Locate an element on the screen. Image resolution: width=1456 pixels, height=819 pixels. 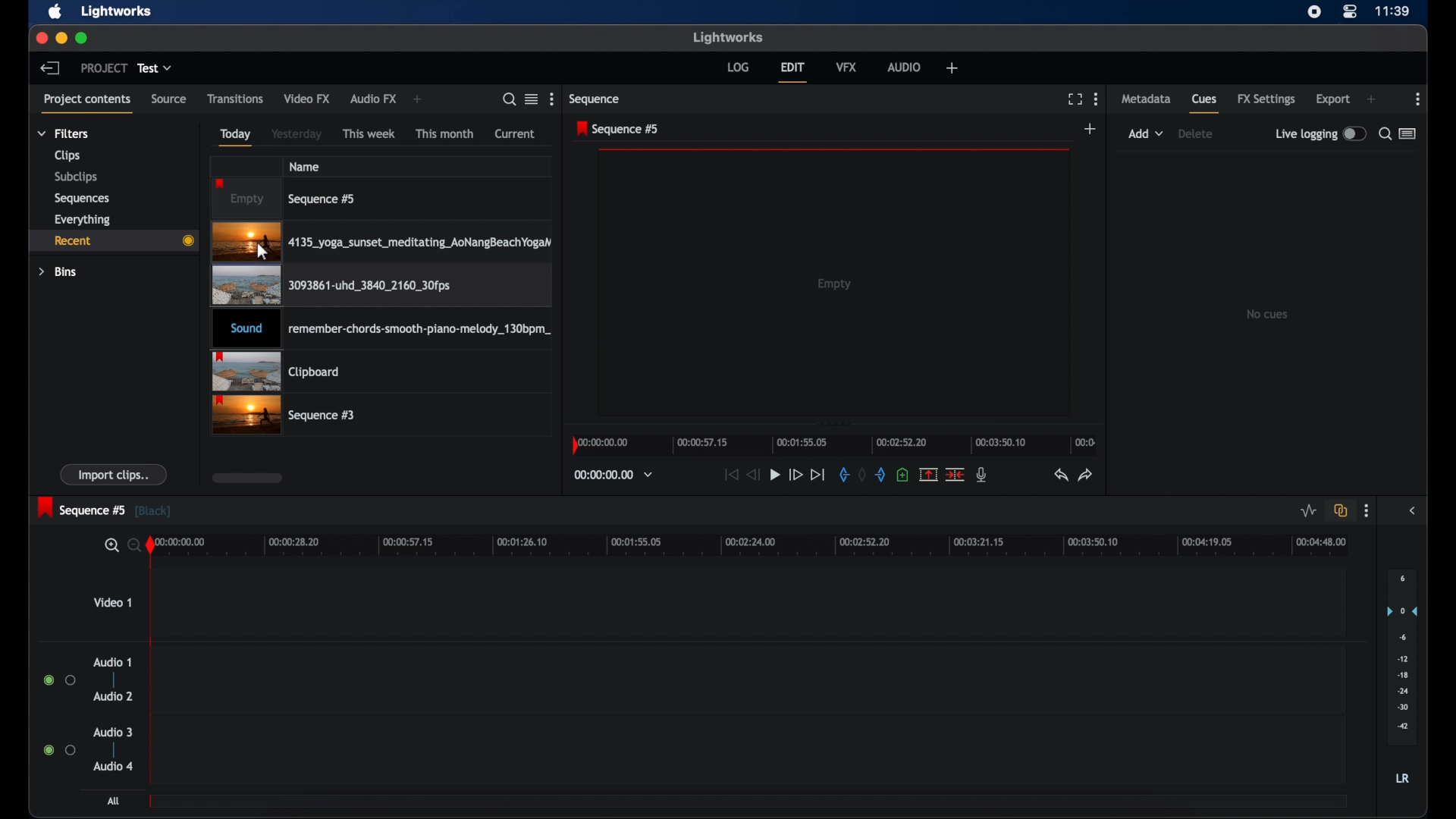
empty is located at coordinates (836, 284).